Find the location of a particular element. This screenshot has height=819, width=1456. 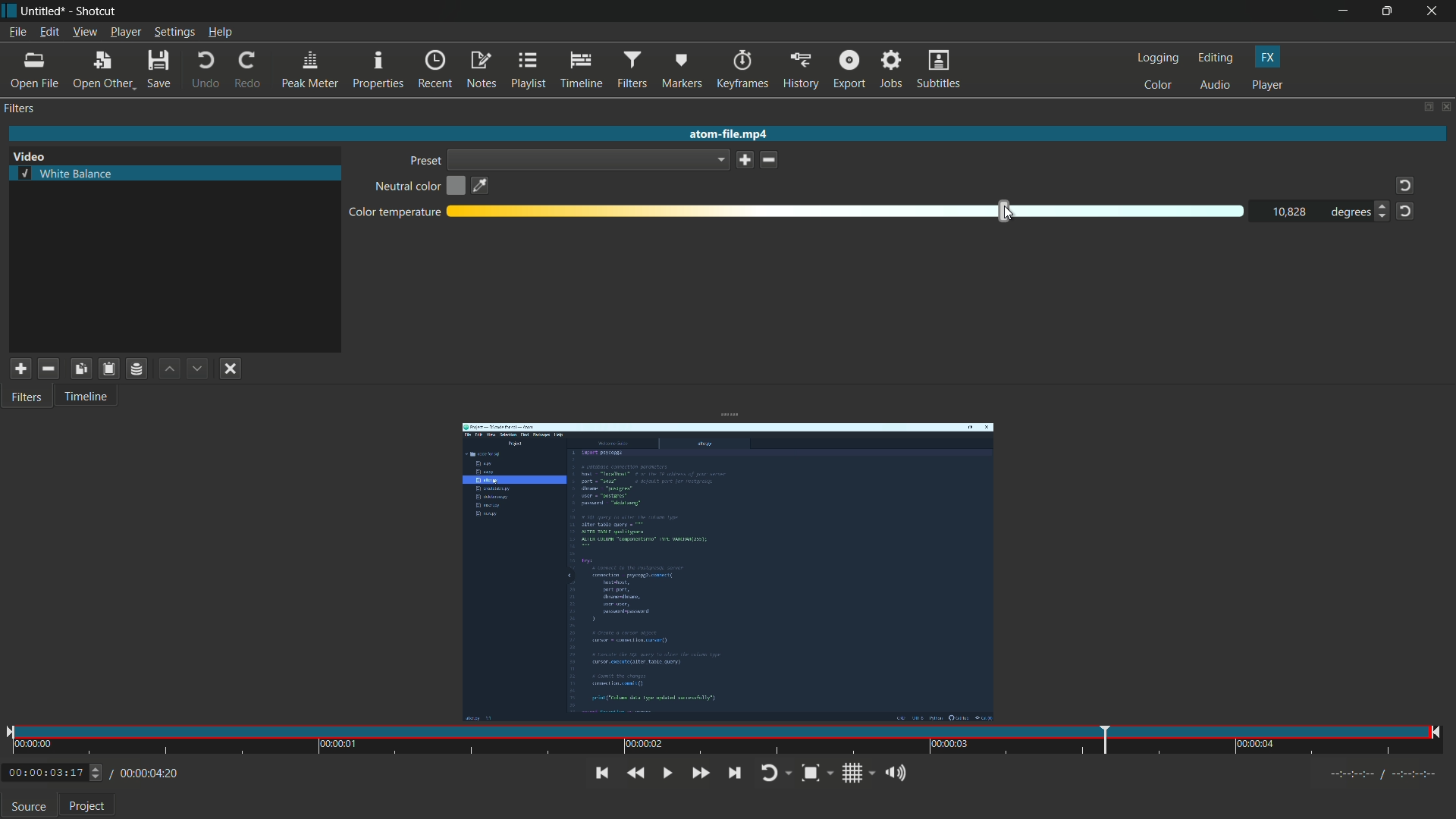

help menu is located at coordinates (220, 32).